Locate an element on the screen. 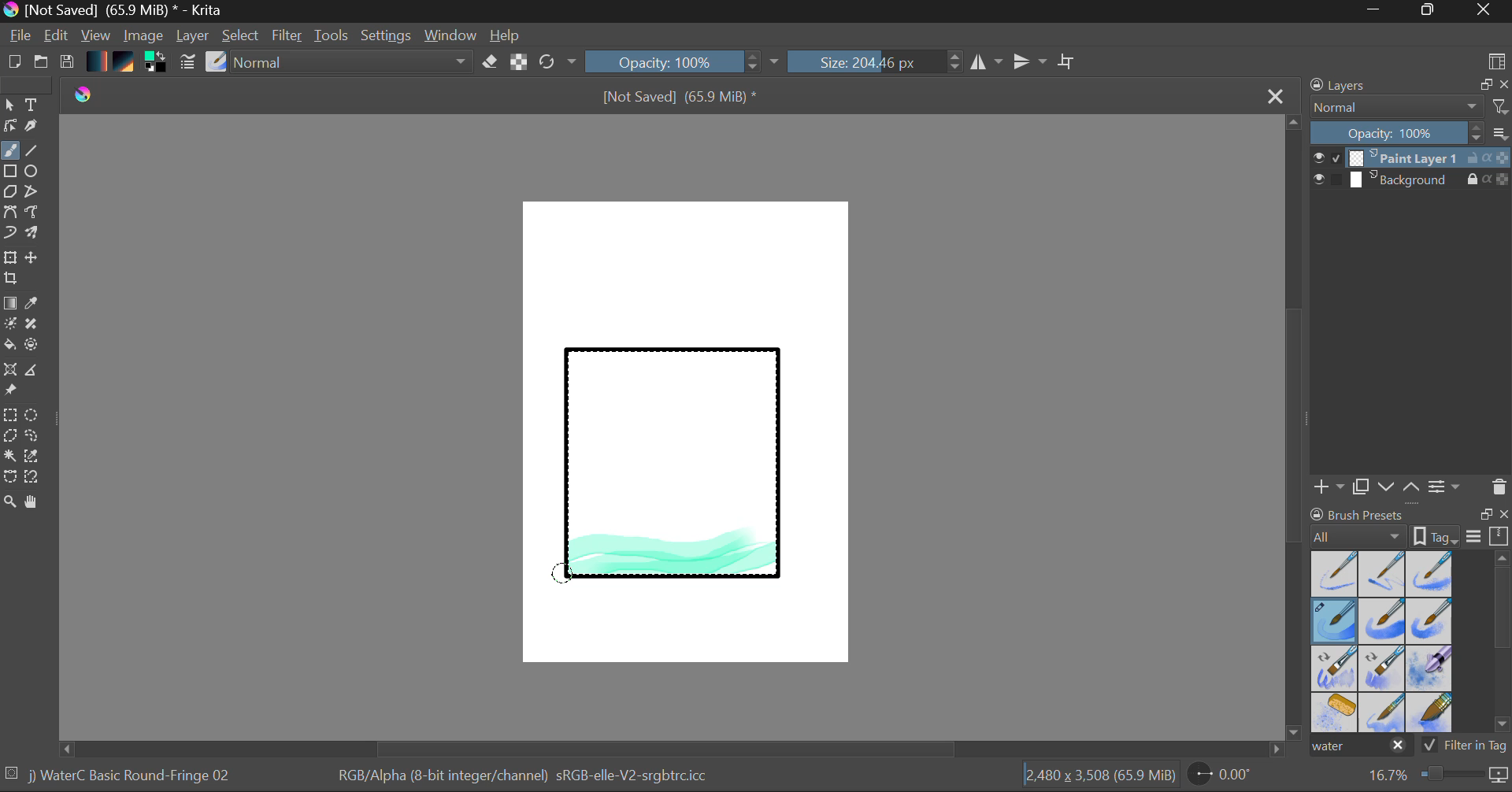  Edit is located at coordinates (57, 37).